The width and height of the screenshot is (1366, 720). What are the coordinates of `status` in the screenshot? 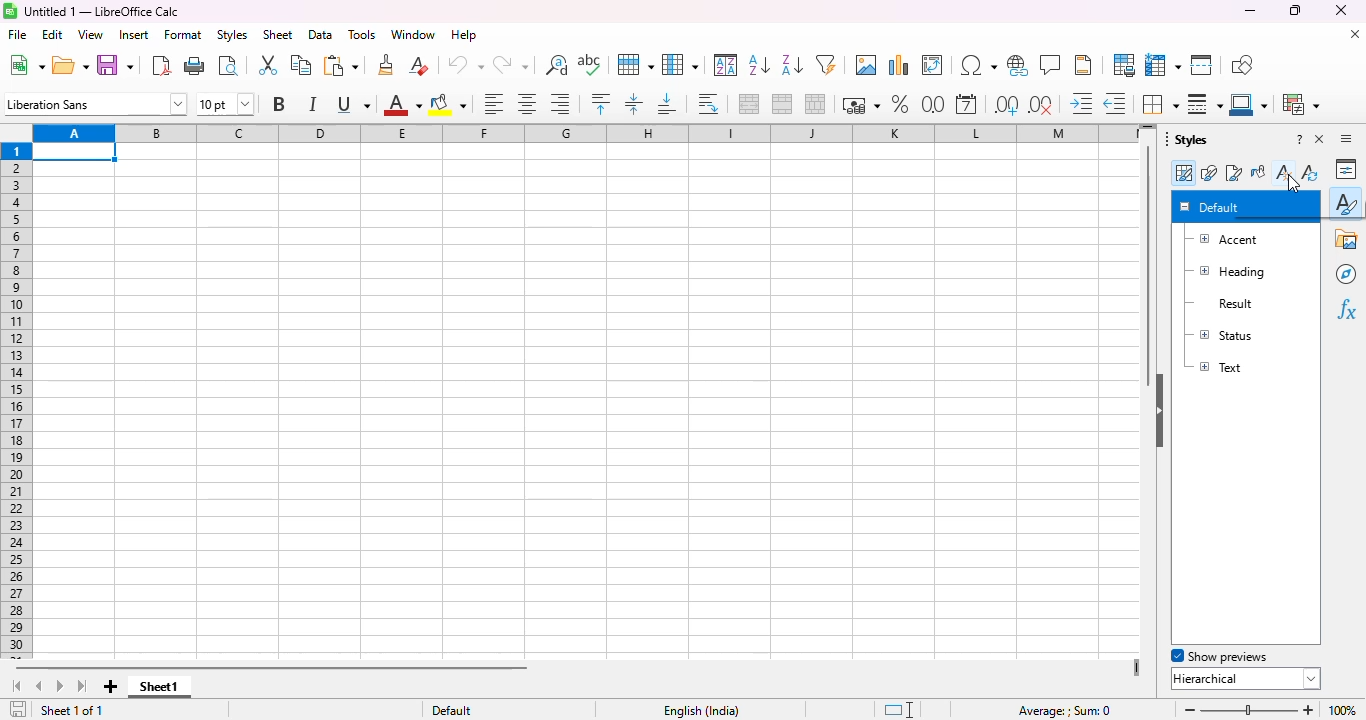 It's located at (1220, 334).